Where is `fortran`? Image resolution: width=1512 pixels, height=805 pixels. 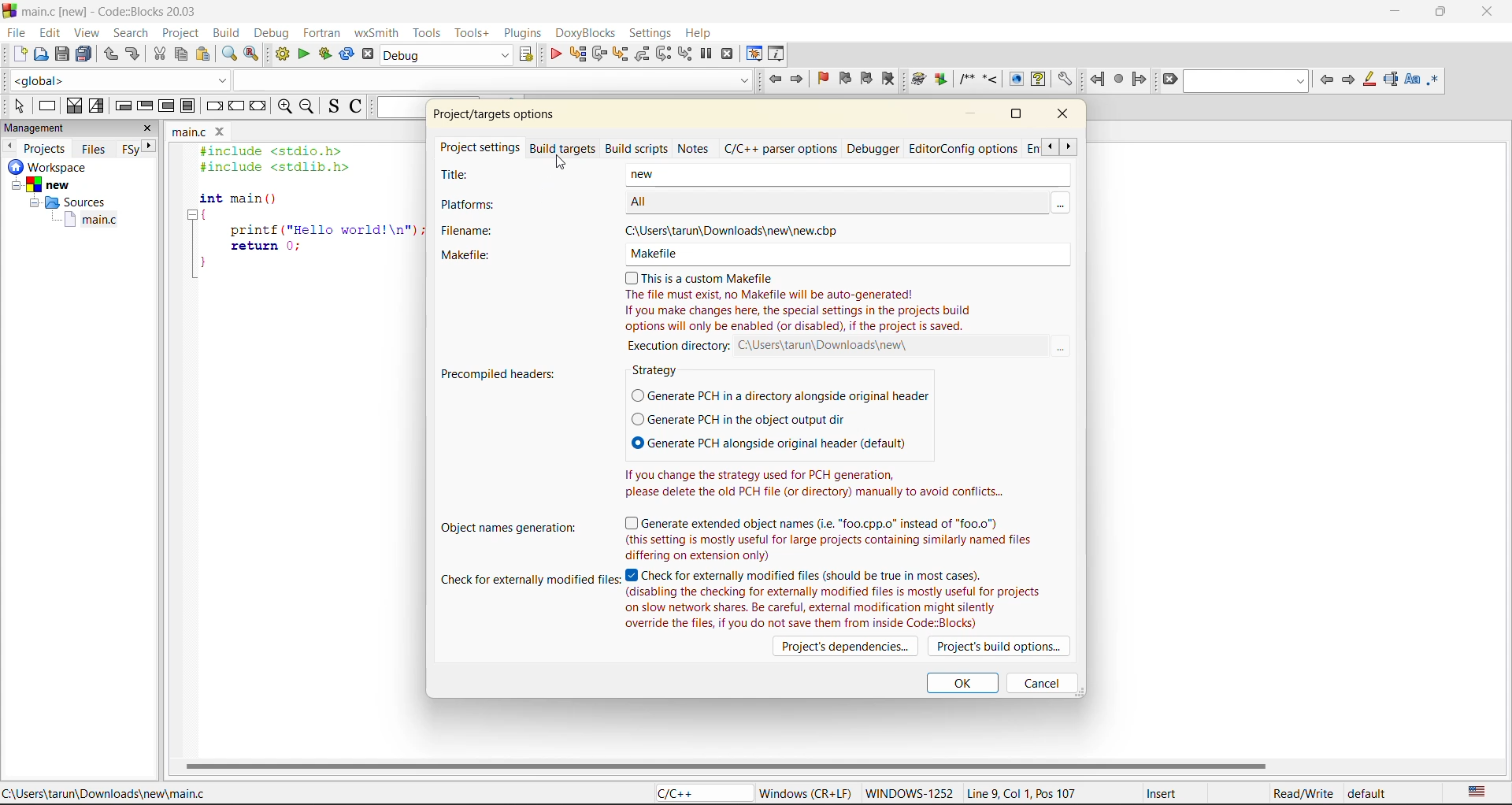 fortran is located at coordinates (322, 31).